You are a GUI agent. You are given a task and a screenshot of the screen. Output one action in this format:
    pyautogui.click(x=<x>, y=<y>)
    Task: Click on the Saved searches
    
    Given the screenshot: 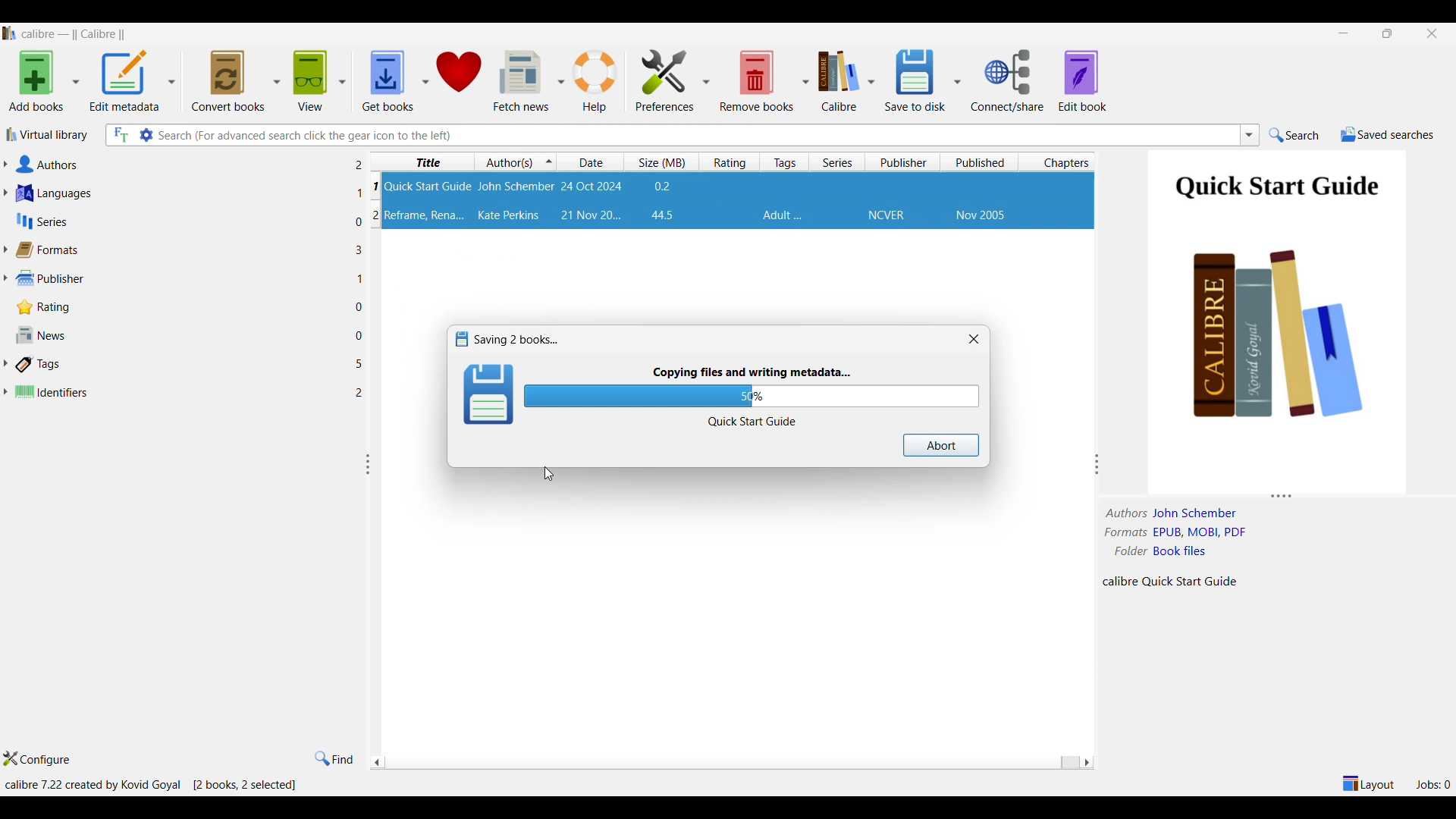 What is the action you would take?
    pyautogui.click(x=1388, y=134)
    